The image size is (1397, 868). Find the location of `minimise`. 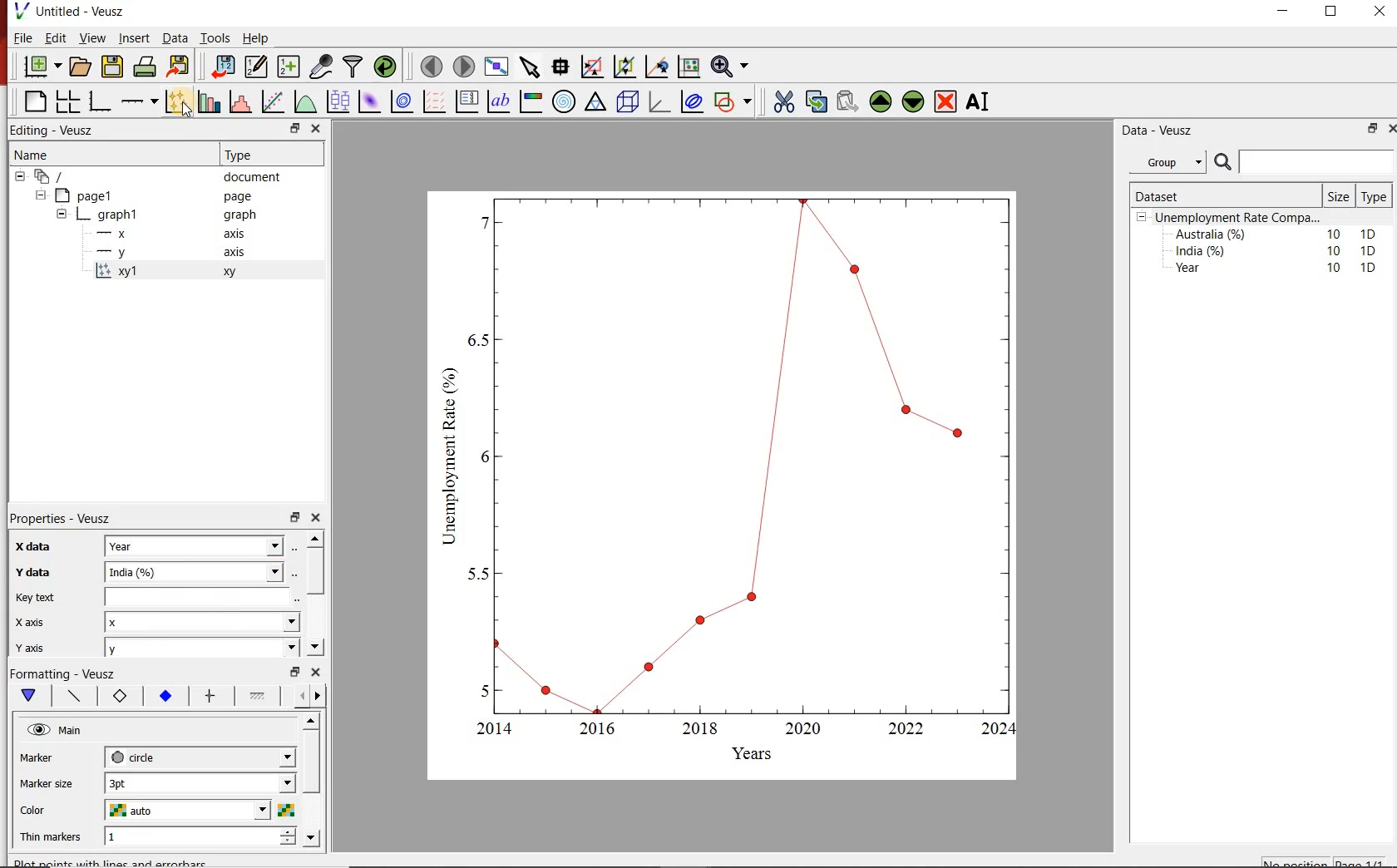

minimise is located at coordinates (295, 670).